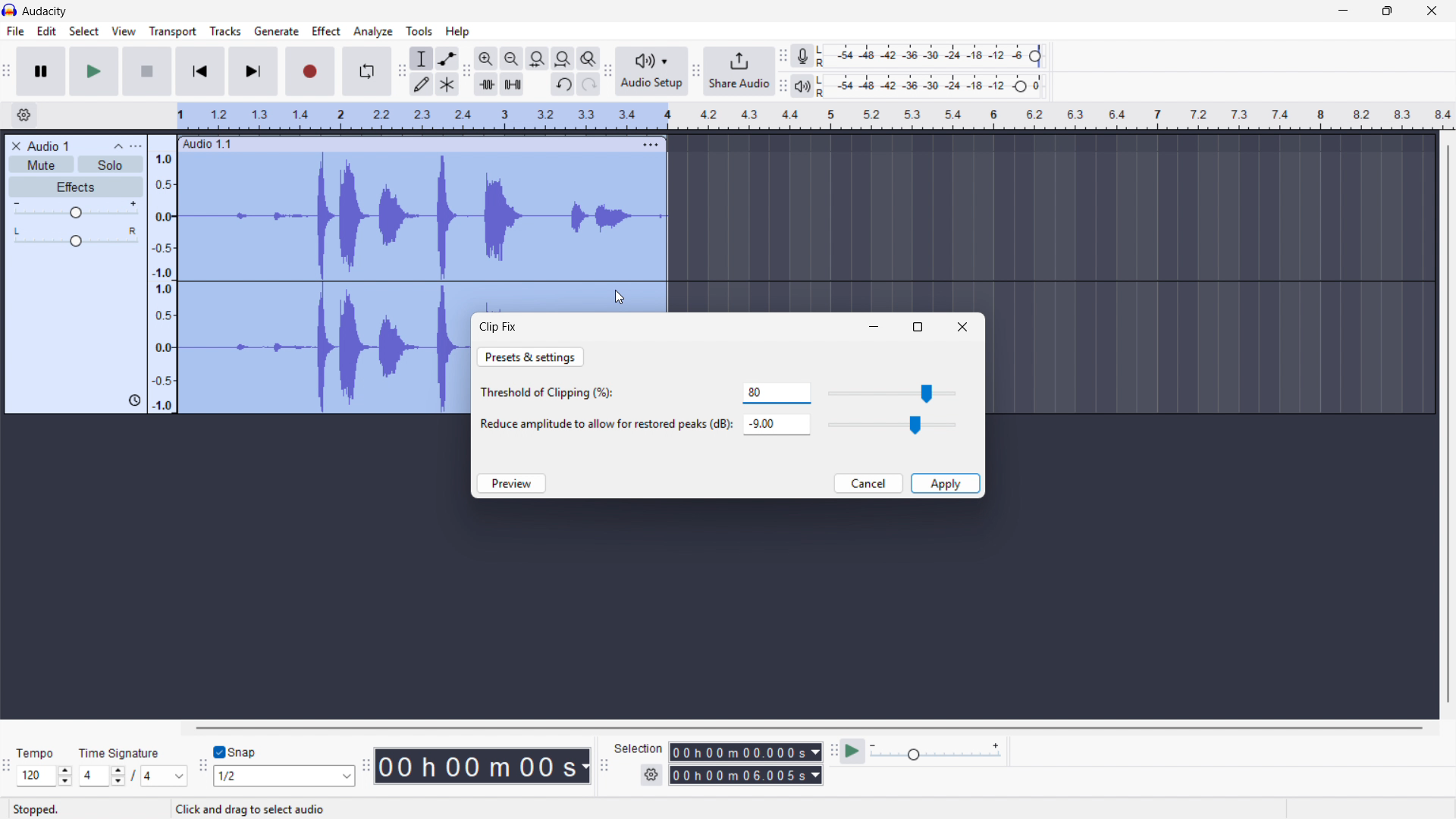 The image size is (1456, 819). What do you see at coordinates (499, 327) in the screenshot?
I see `Clip fix dialogue box` at bounding box center [499, 327].